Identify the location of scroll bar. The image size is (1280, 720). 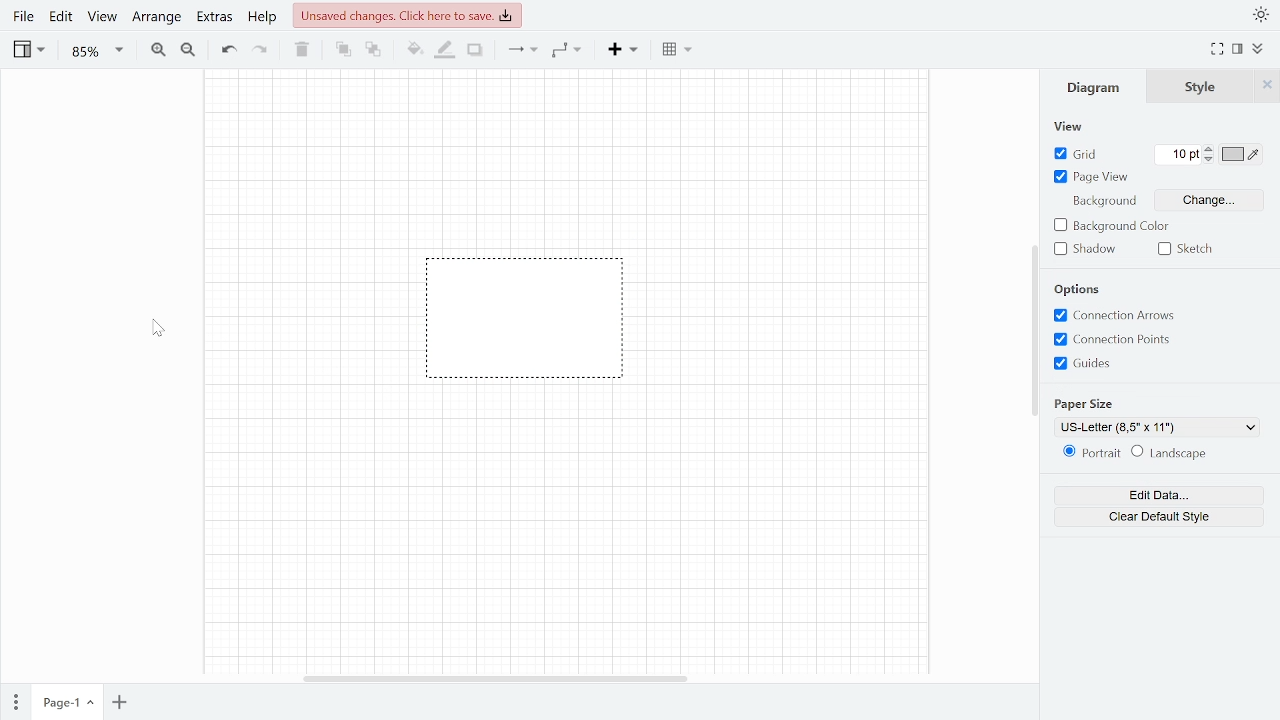
(1033, 325).